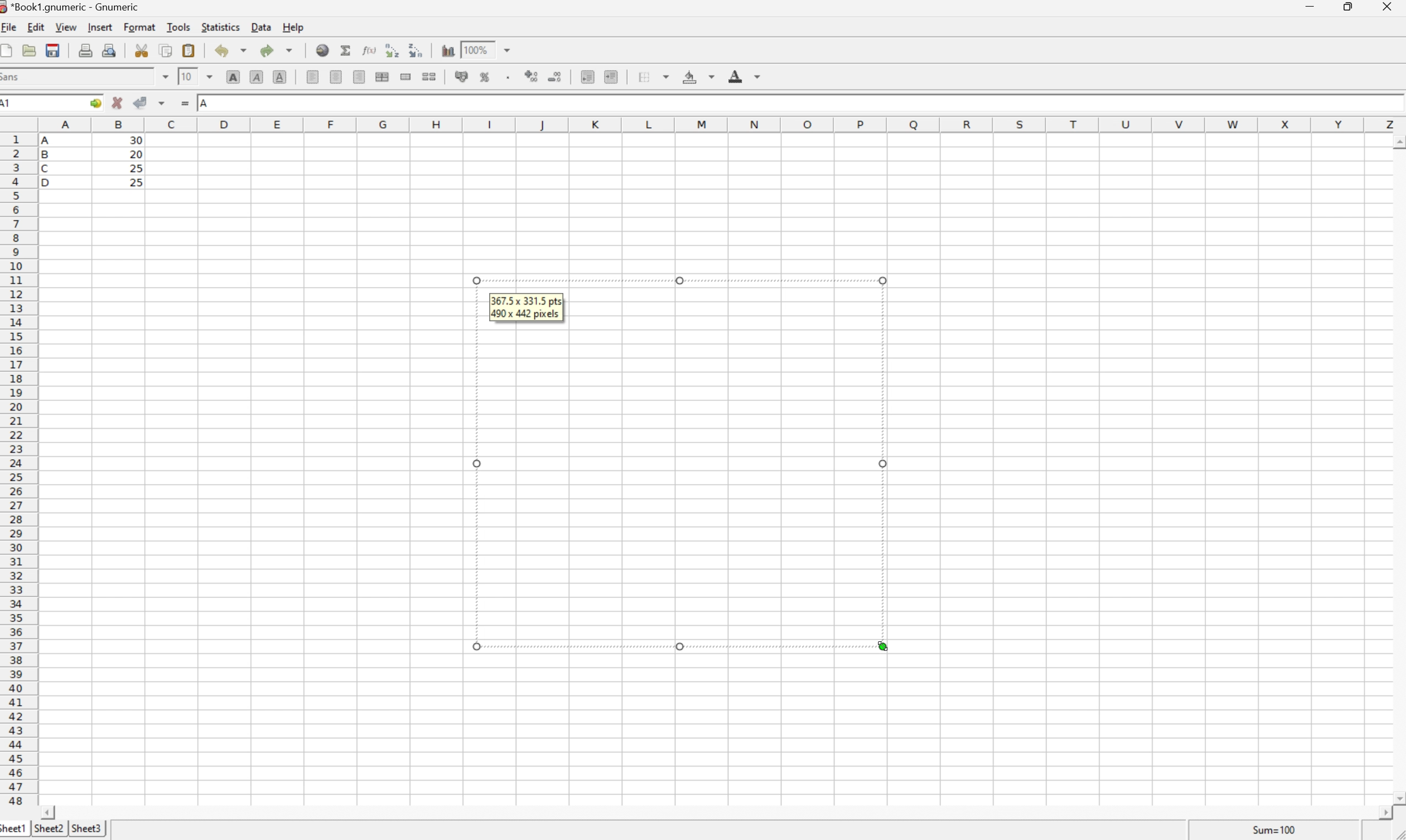 The height and width of the screenshot is (840, 1406). I want to click on 100%, so click(475, 49).